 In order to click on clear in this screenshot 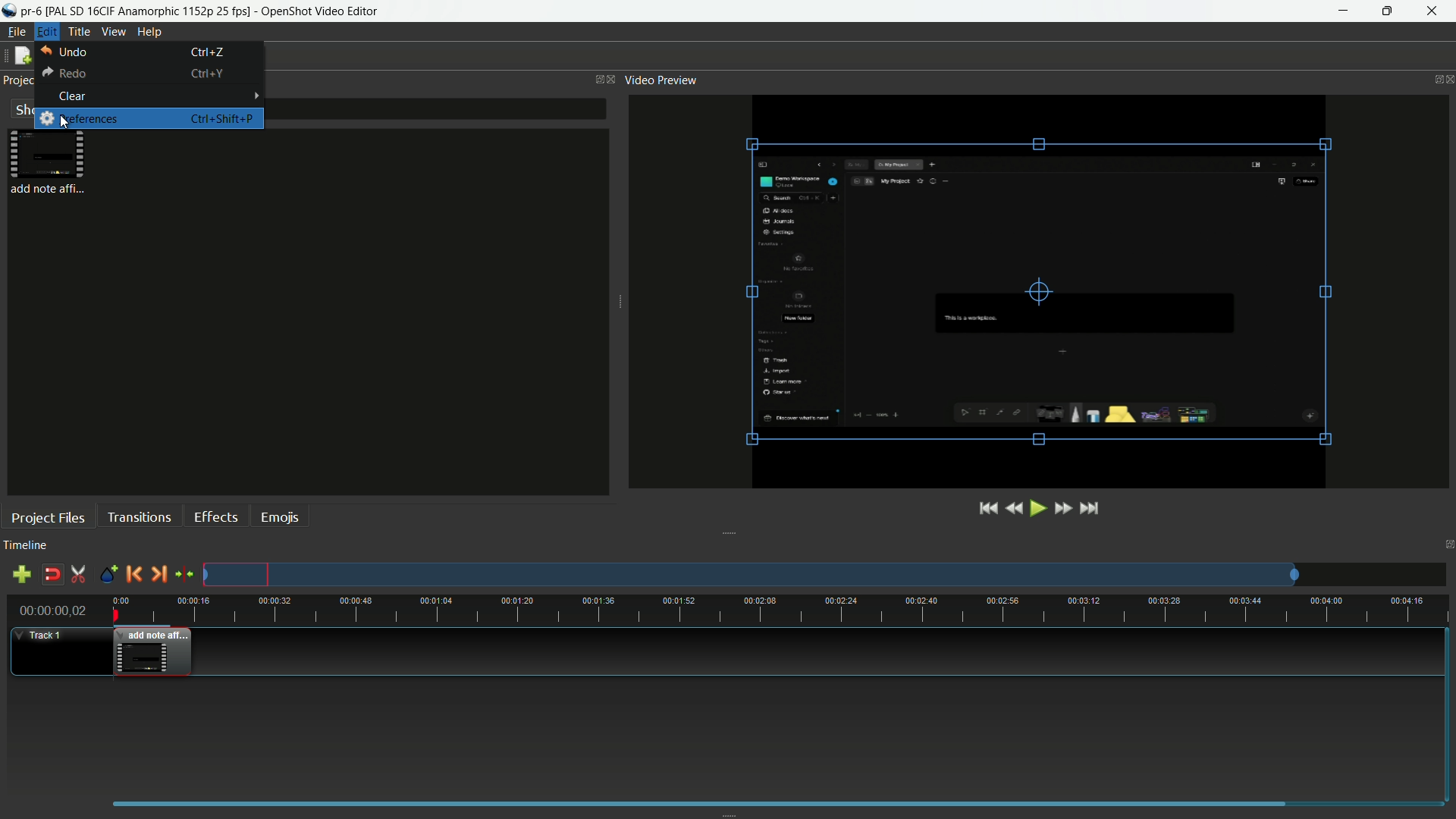, I will do `click(71, 97)`.